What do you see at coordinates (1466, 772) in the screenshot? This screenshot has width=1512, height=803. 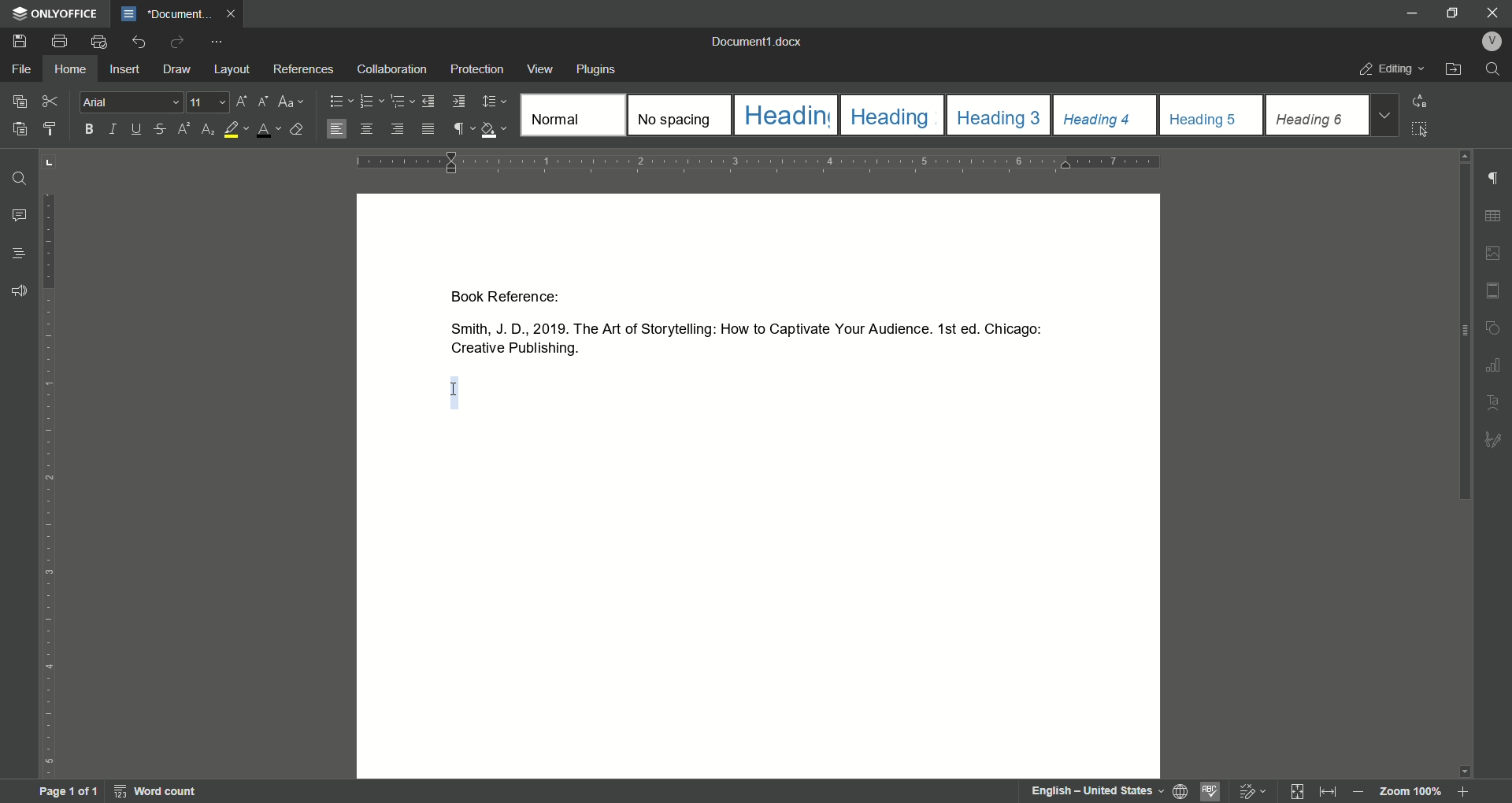 I see `roll down` at bounding box center [1466, 772].